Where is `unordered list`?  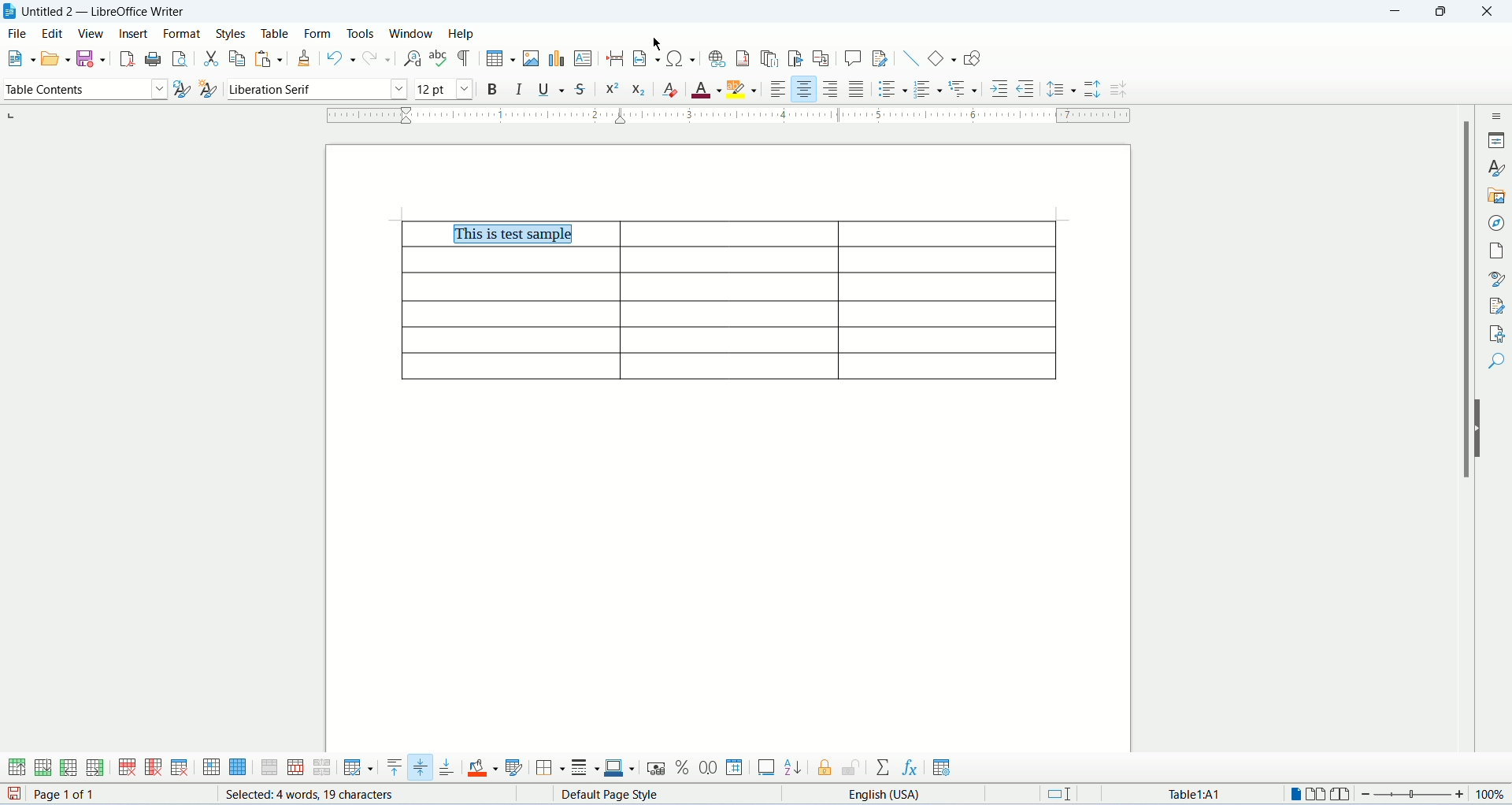 unordered list is located at coordinates (893, 88).